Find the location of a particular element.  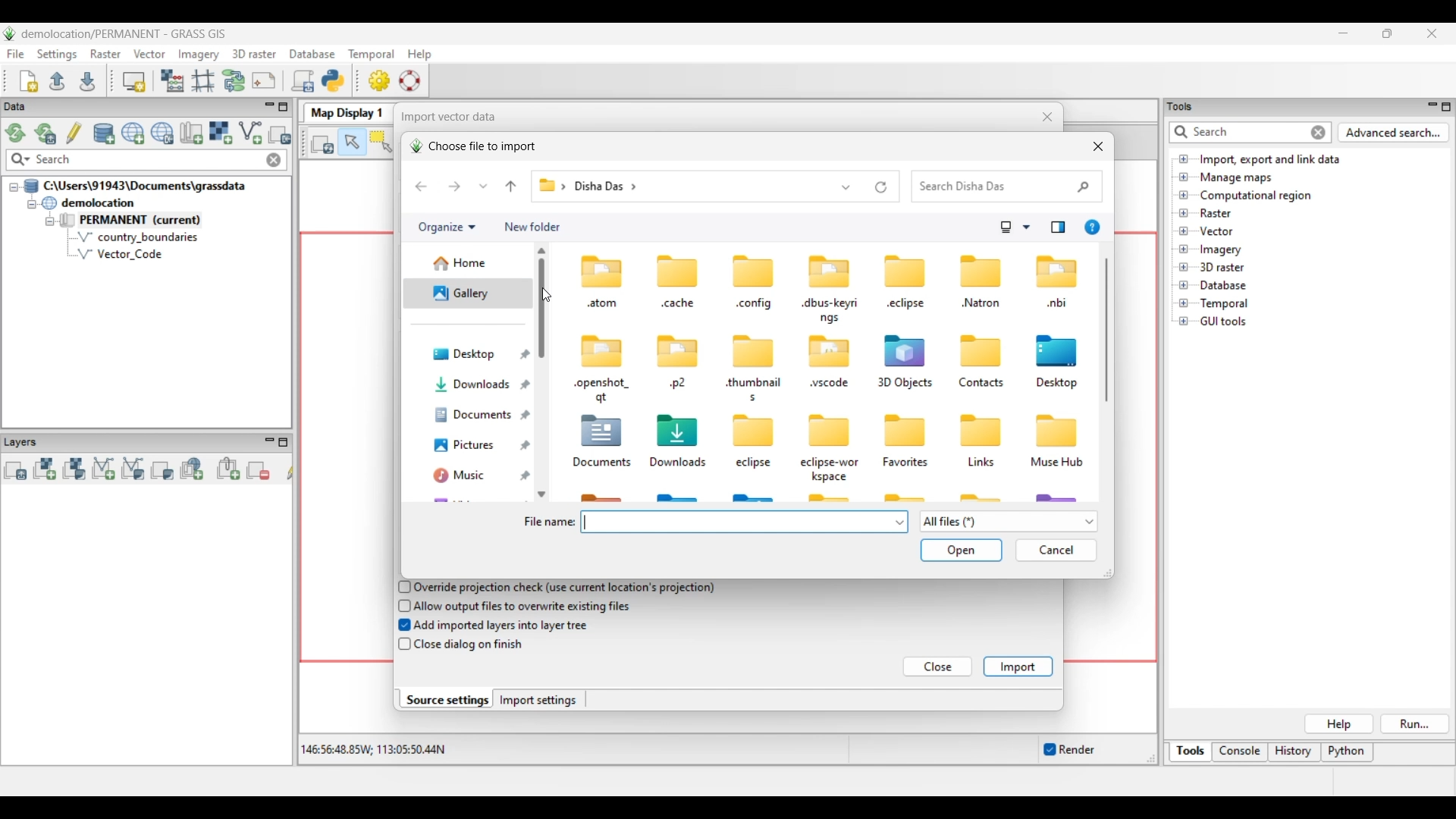

Pointer, current highlighted selection is located at coordinates (352, 143).